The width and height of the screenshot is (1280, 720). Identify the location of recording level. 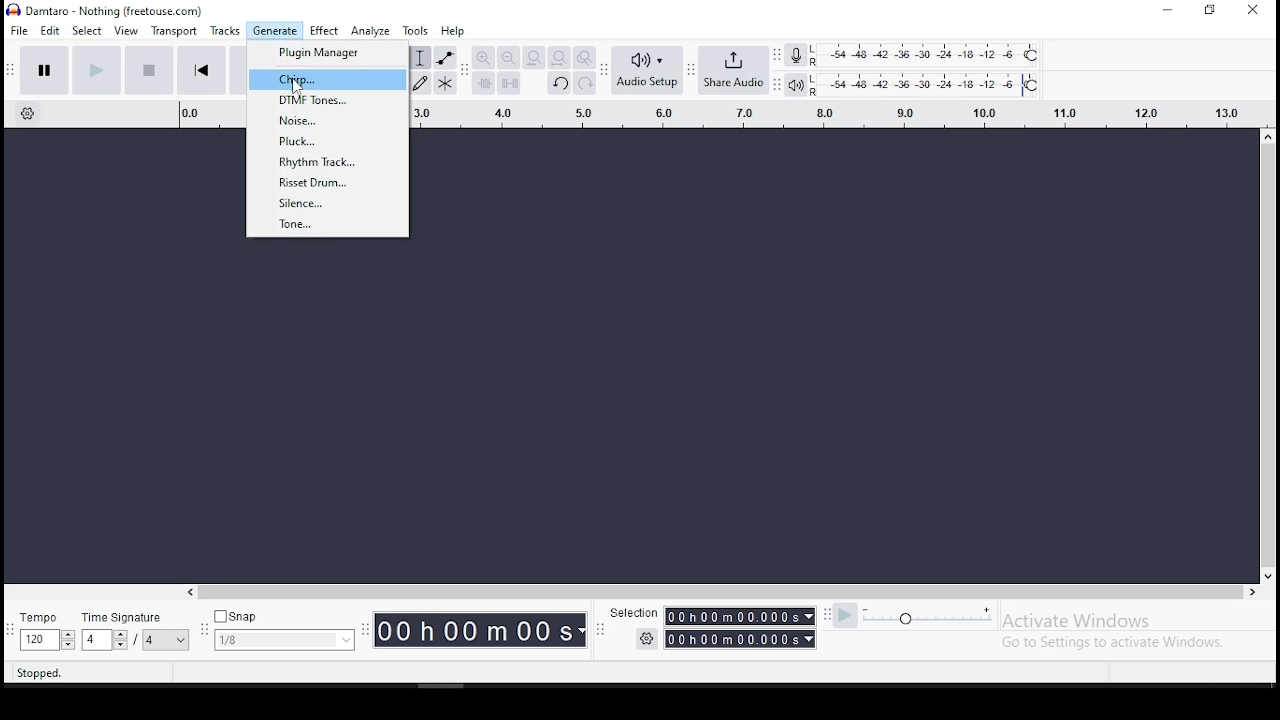
(932, 55).